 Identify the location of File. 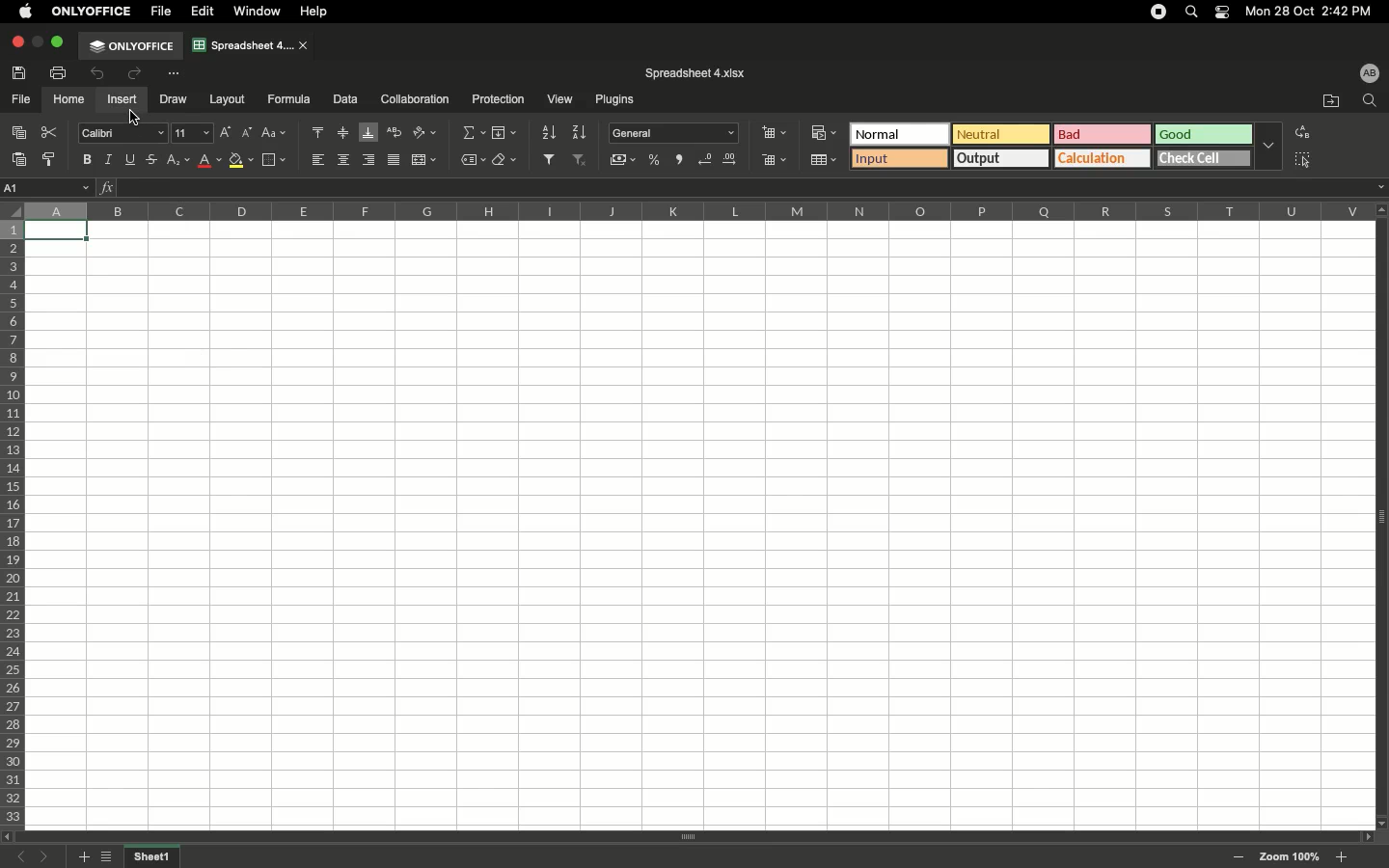
(163, 12).